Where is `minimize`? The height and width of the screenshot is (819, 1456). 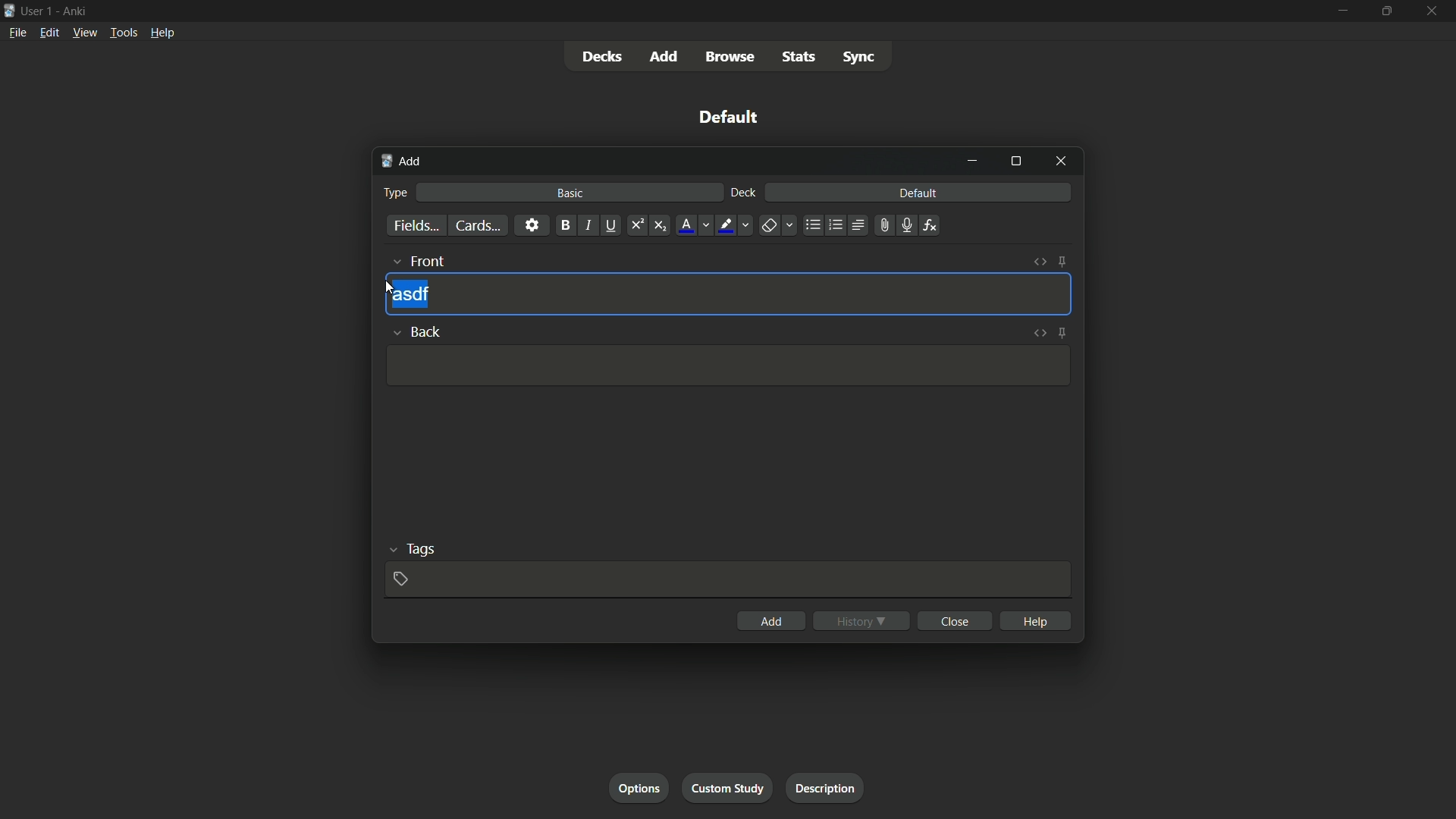 minimize is located at coordinates (1344, 10).